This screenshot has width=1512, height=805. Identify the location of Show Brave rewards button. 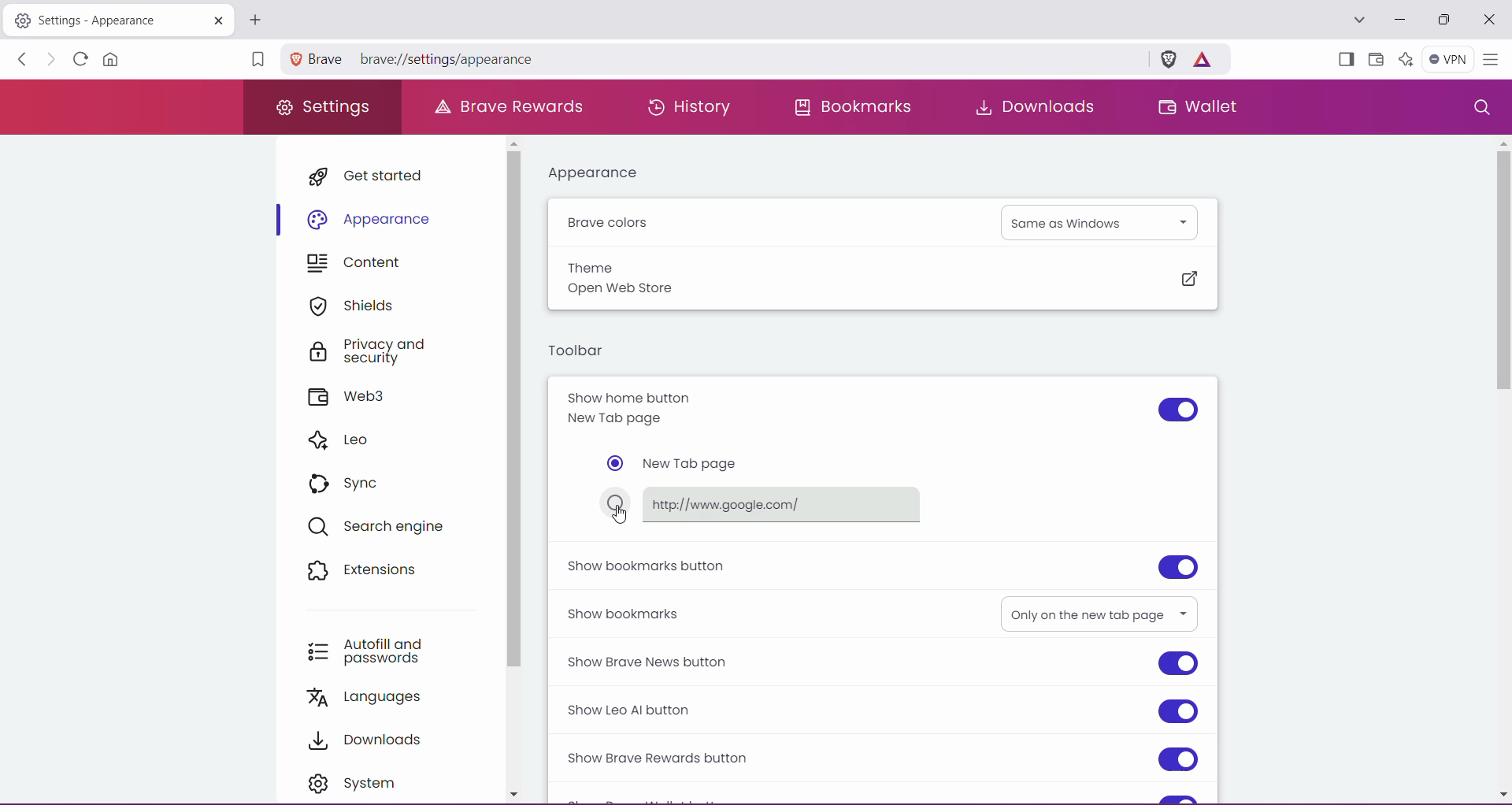
(664, 759).